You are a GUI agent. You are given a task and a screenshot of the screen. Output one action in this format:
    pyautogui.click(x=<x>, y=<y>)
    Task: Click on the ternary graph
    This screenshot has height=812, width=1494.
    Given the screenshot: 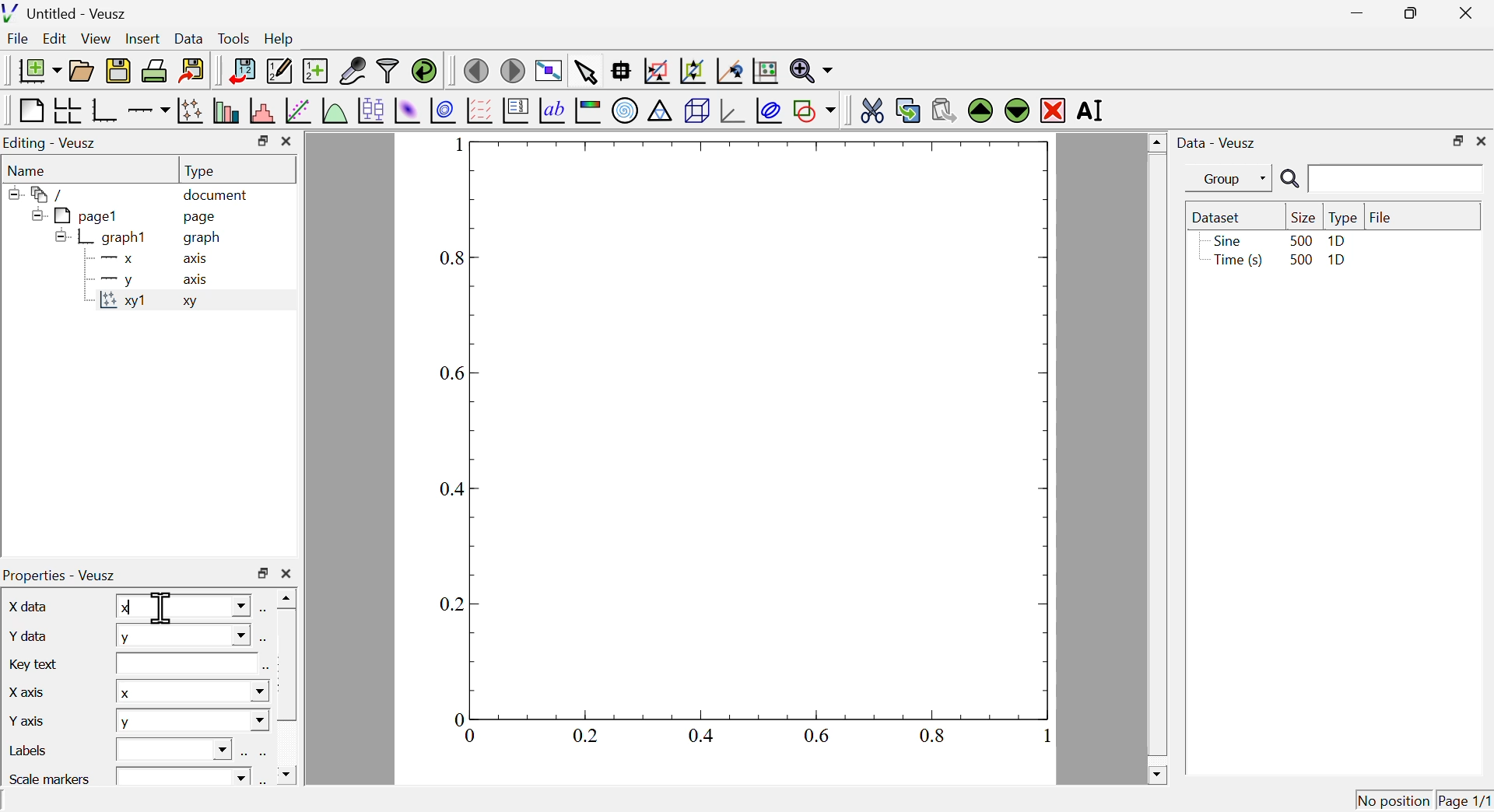 What is the action you would take?
    pyautogui.click(x=661, y=113)
    